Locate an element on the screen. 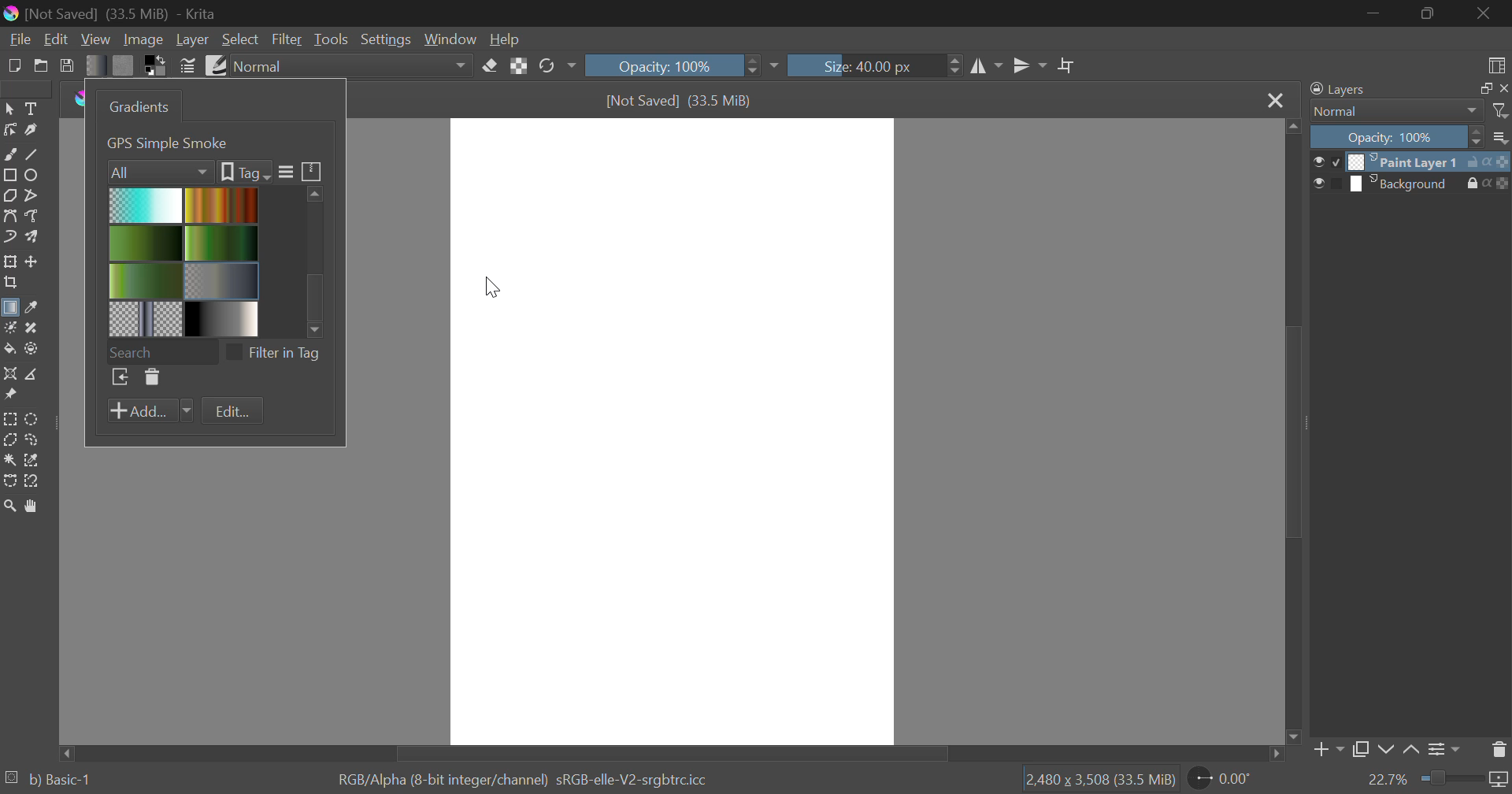  Select is located at coordinates (9, 107).